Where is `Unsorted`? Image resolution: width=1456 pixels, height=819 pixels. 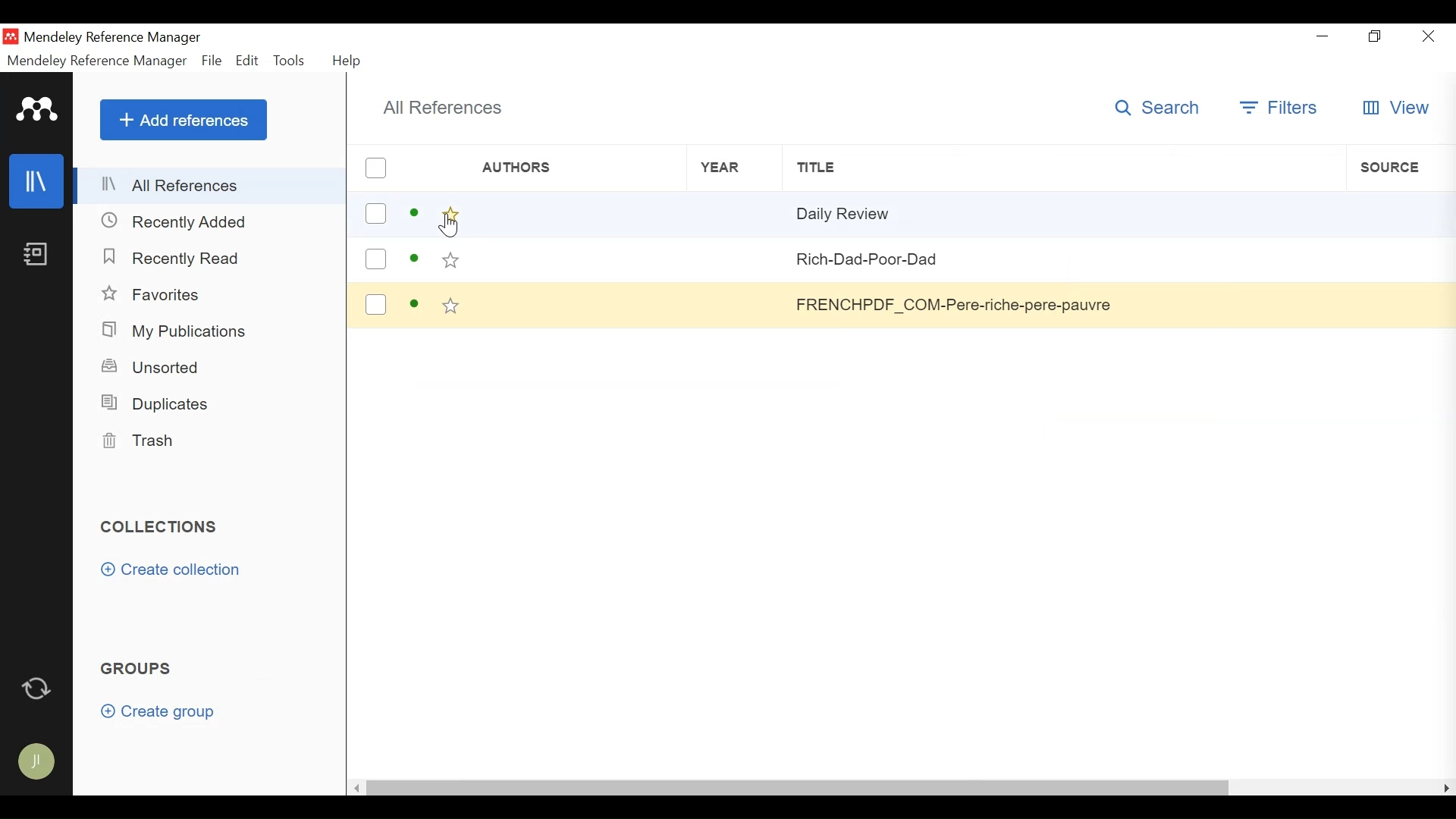 Unsorted is located at coordinates (155, 367).